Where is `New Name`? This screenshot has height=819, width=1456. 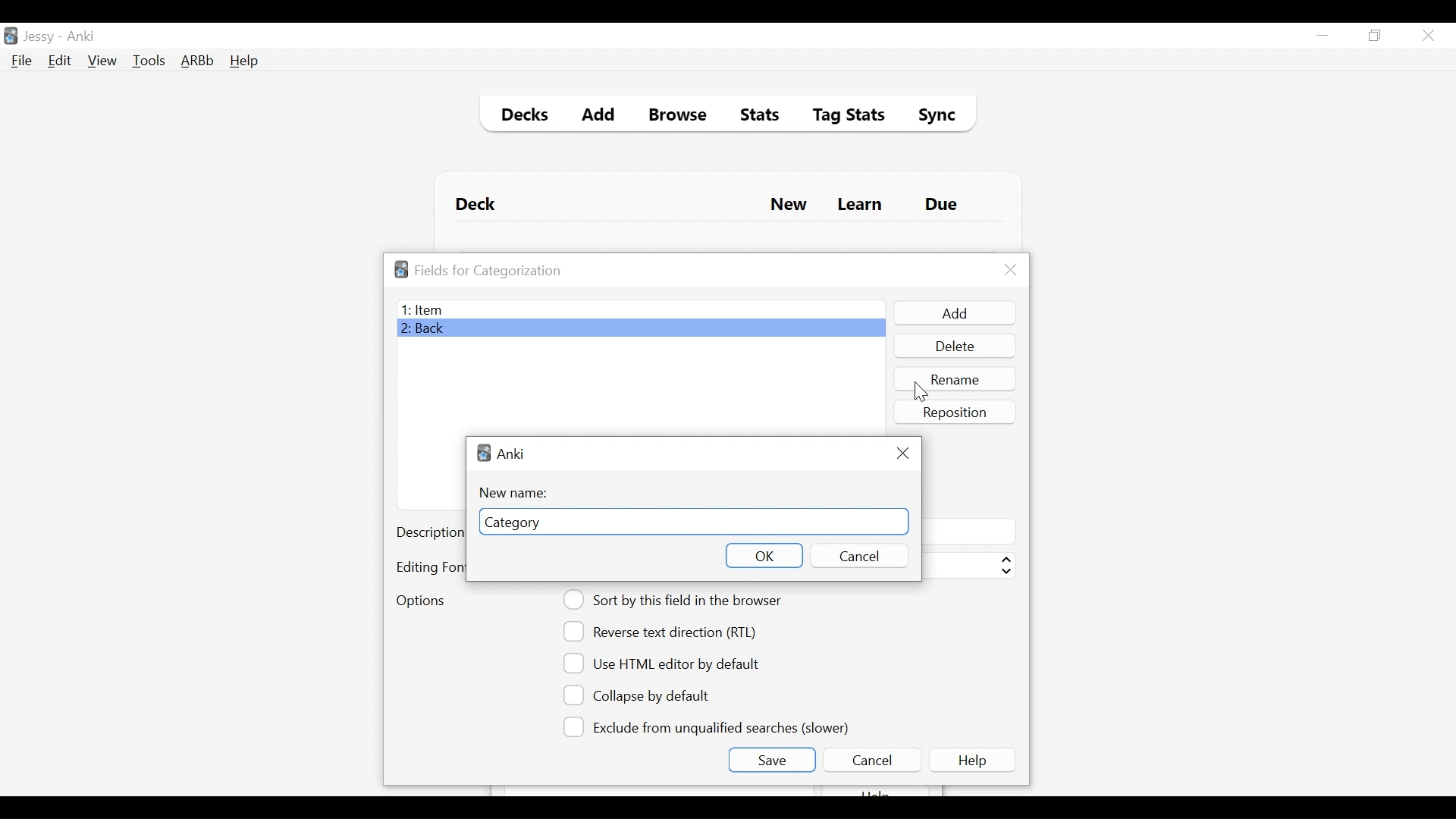 New Name is located at coordinates (518, 493).